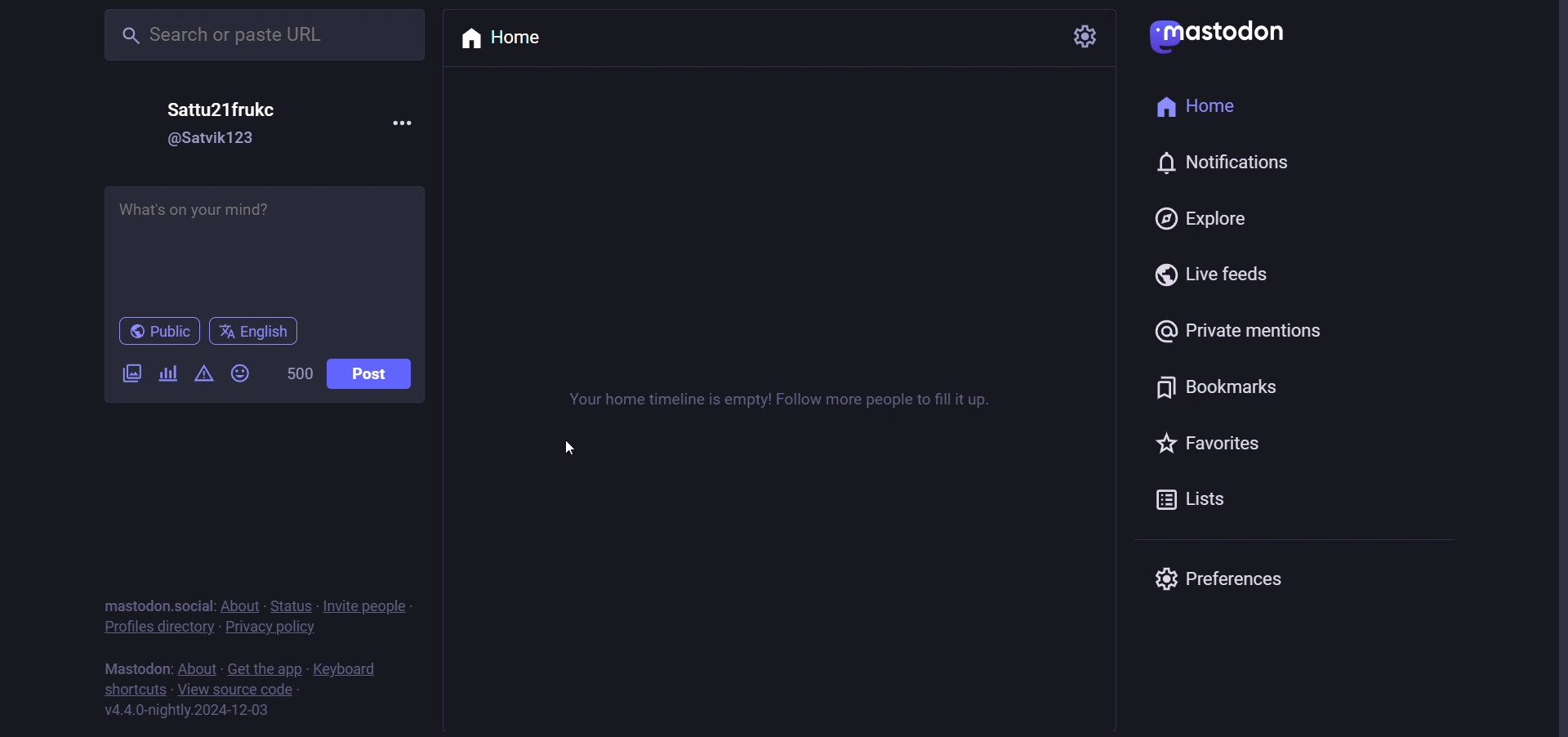 The width and height of the screenshot is (1568, 737). What do you see at coordinates (351, 671) in the screenshot?
I see `keyboard` at bounding box center [351, 671].